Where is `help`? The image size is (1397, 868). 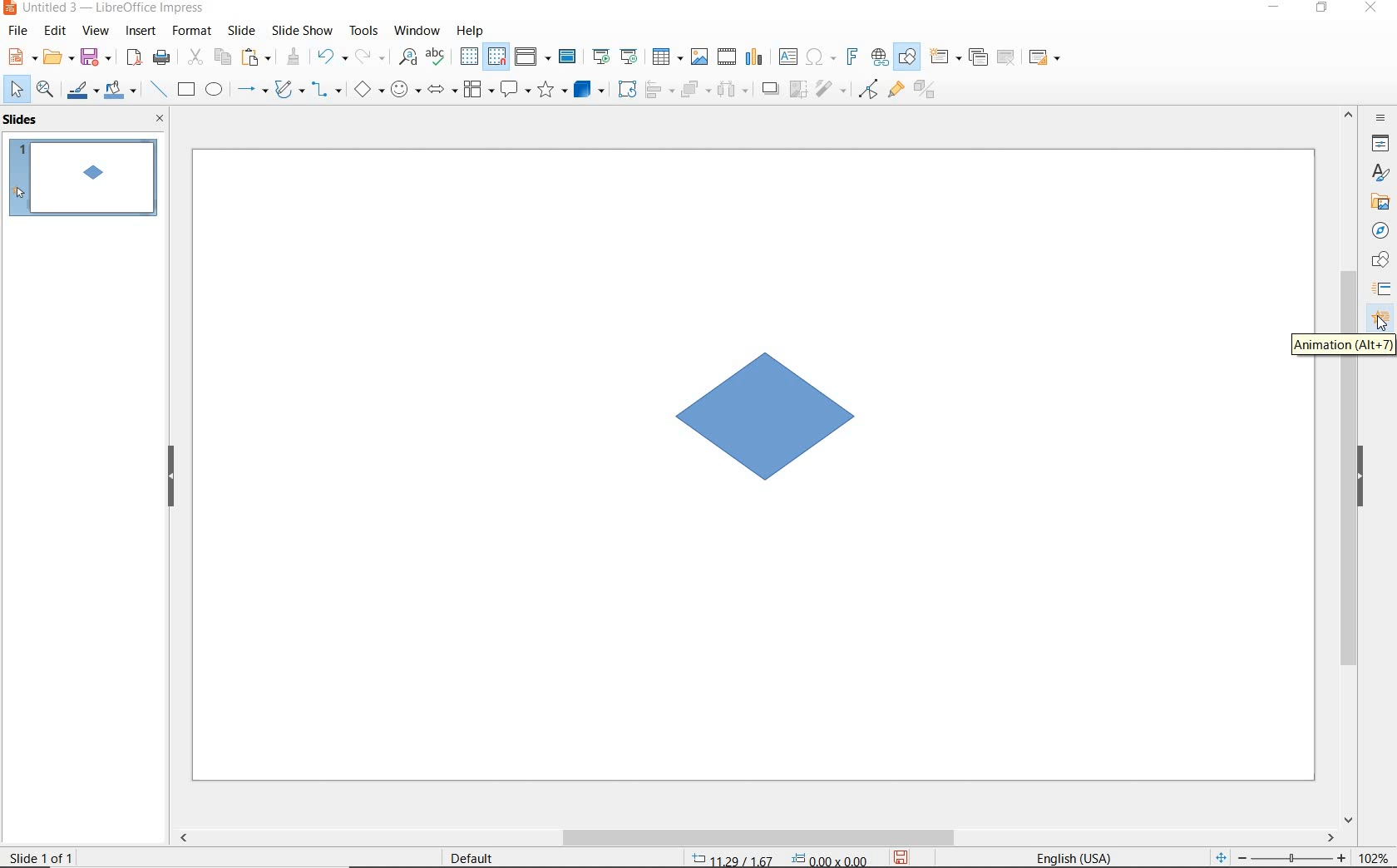
help is located at coordinates (471, 31).